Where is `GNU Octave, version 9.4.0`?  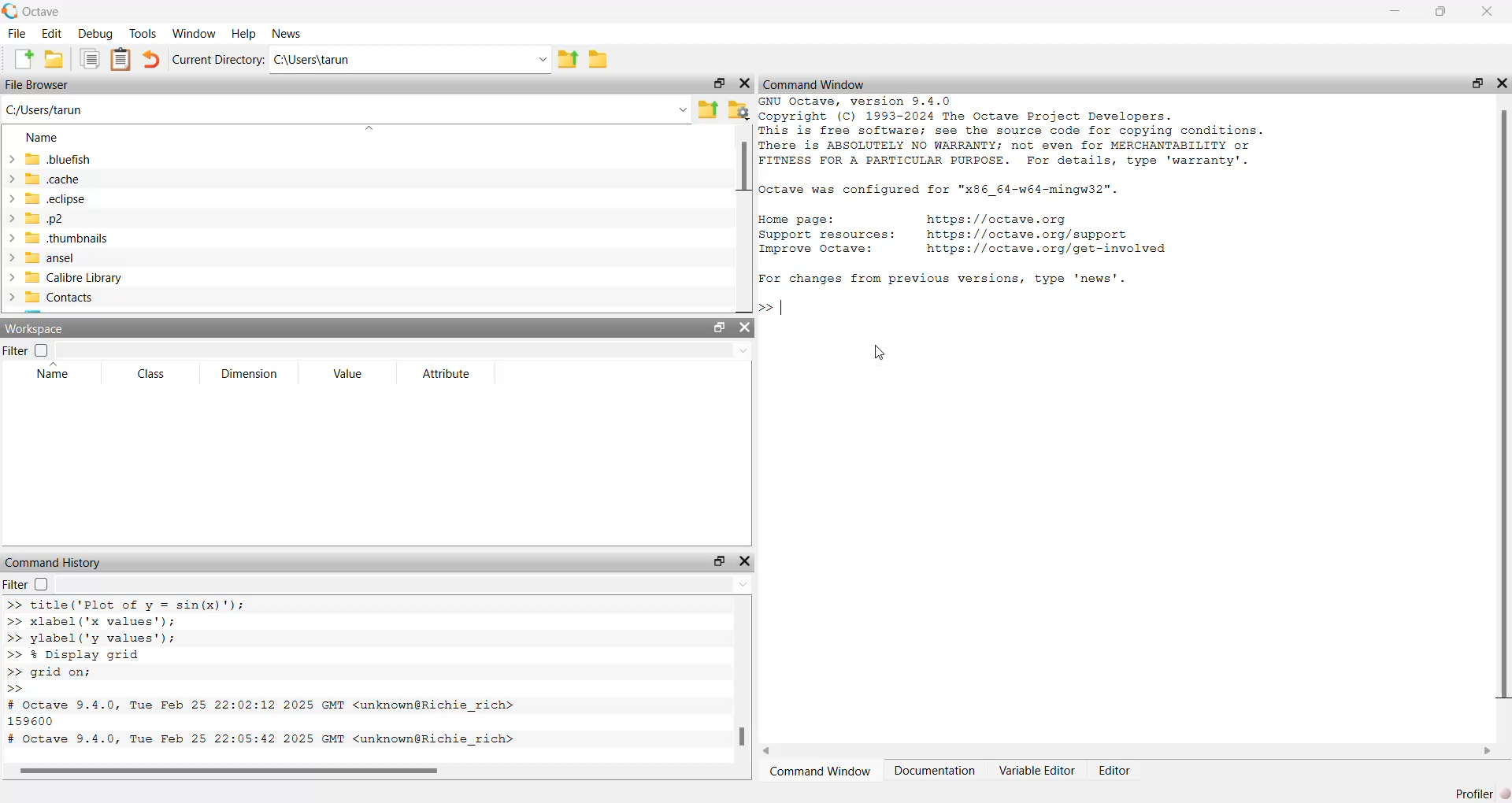 GNU Octave, version 9.4.0 is located at coordinates (858, 101).